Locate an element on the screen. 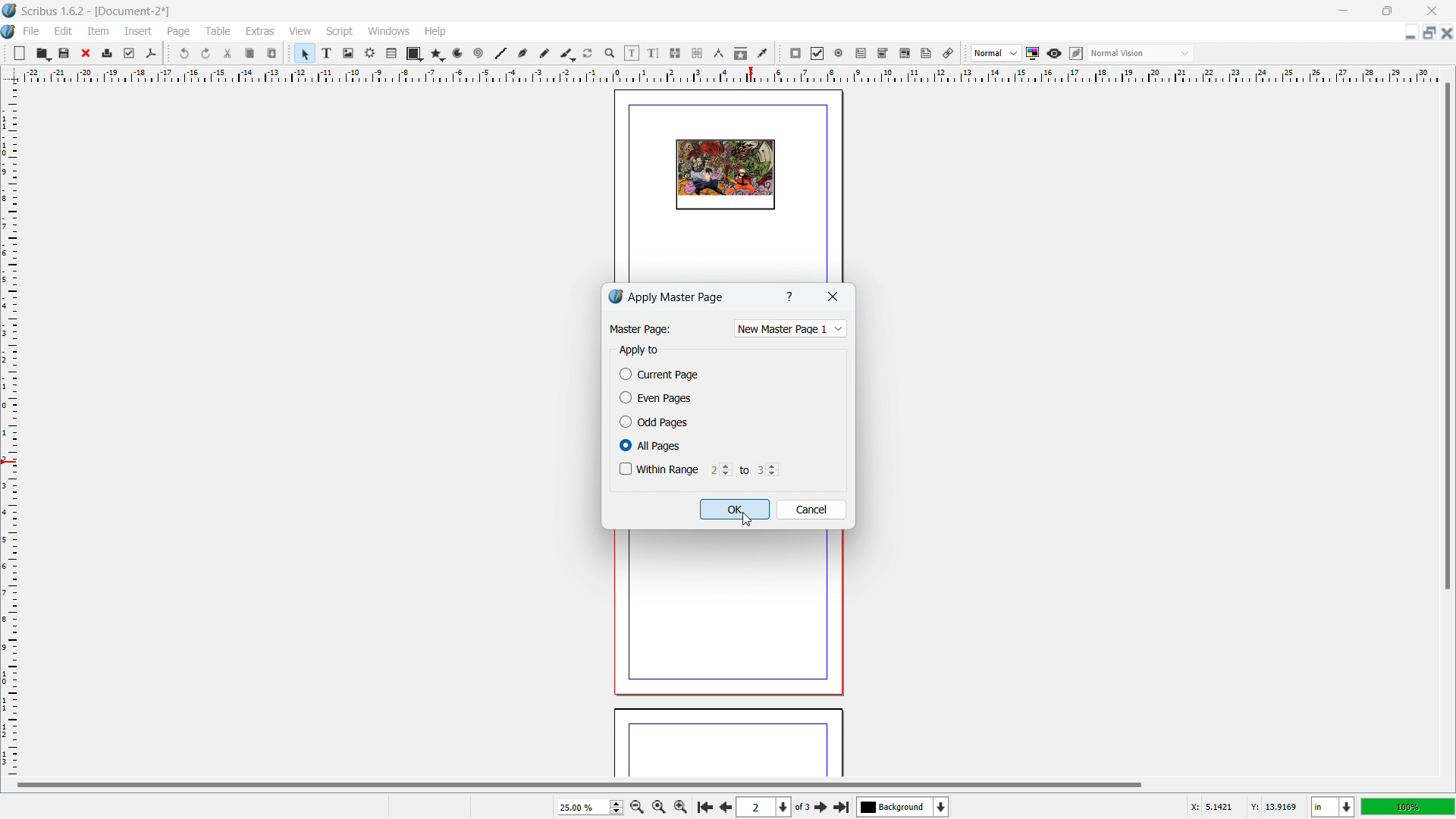 This screenshot has height=819, width=1456. Master Page is located at coordinates (639, 329).